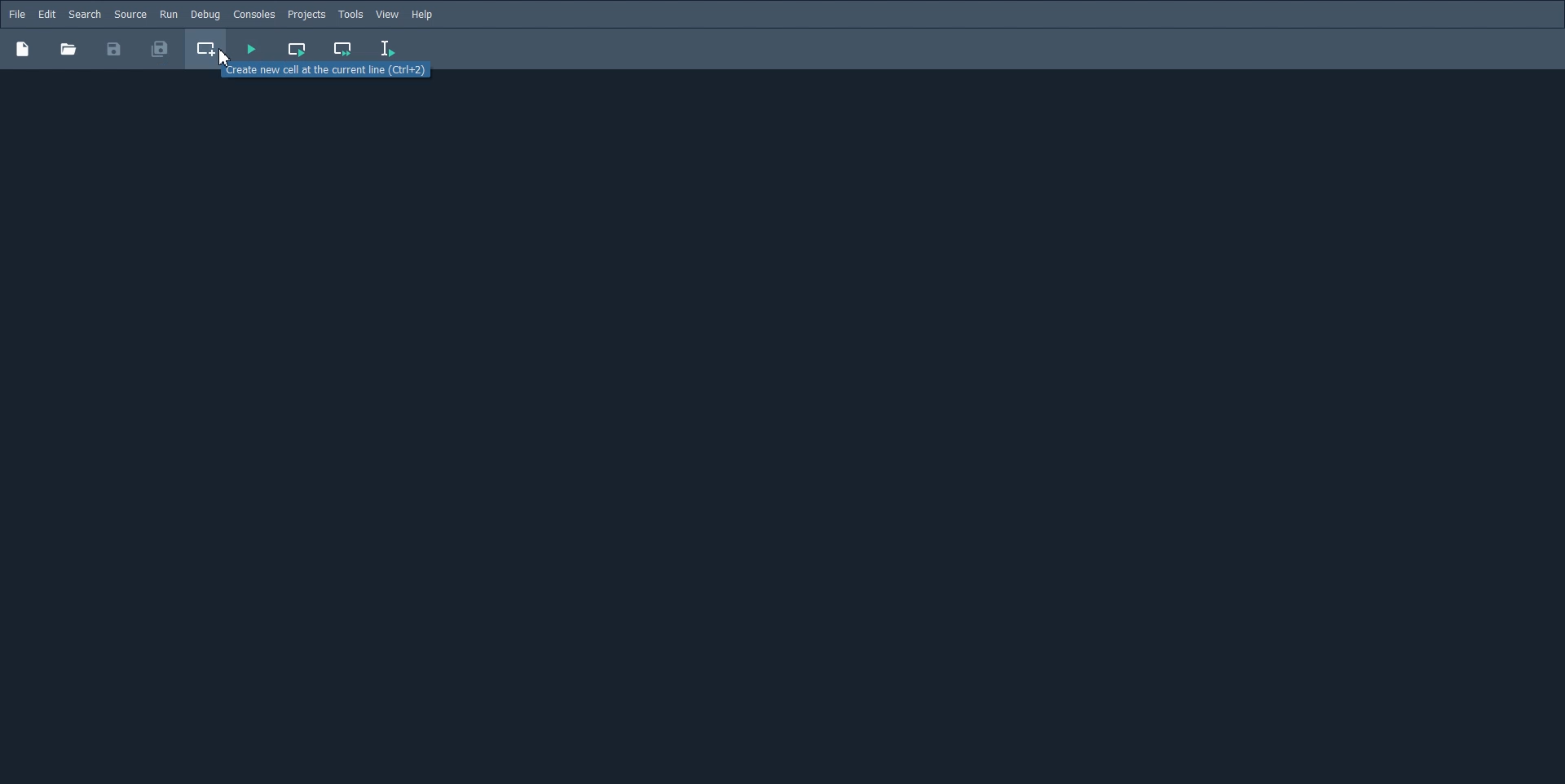 This screenshot has width=1565, height=784. Describe the element at coordinates (85, 15) in the screenshot. I see `Search` at that location.